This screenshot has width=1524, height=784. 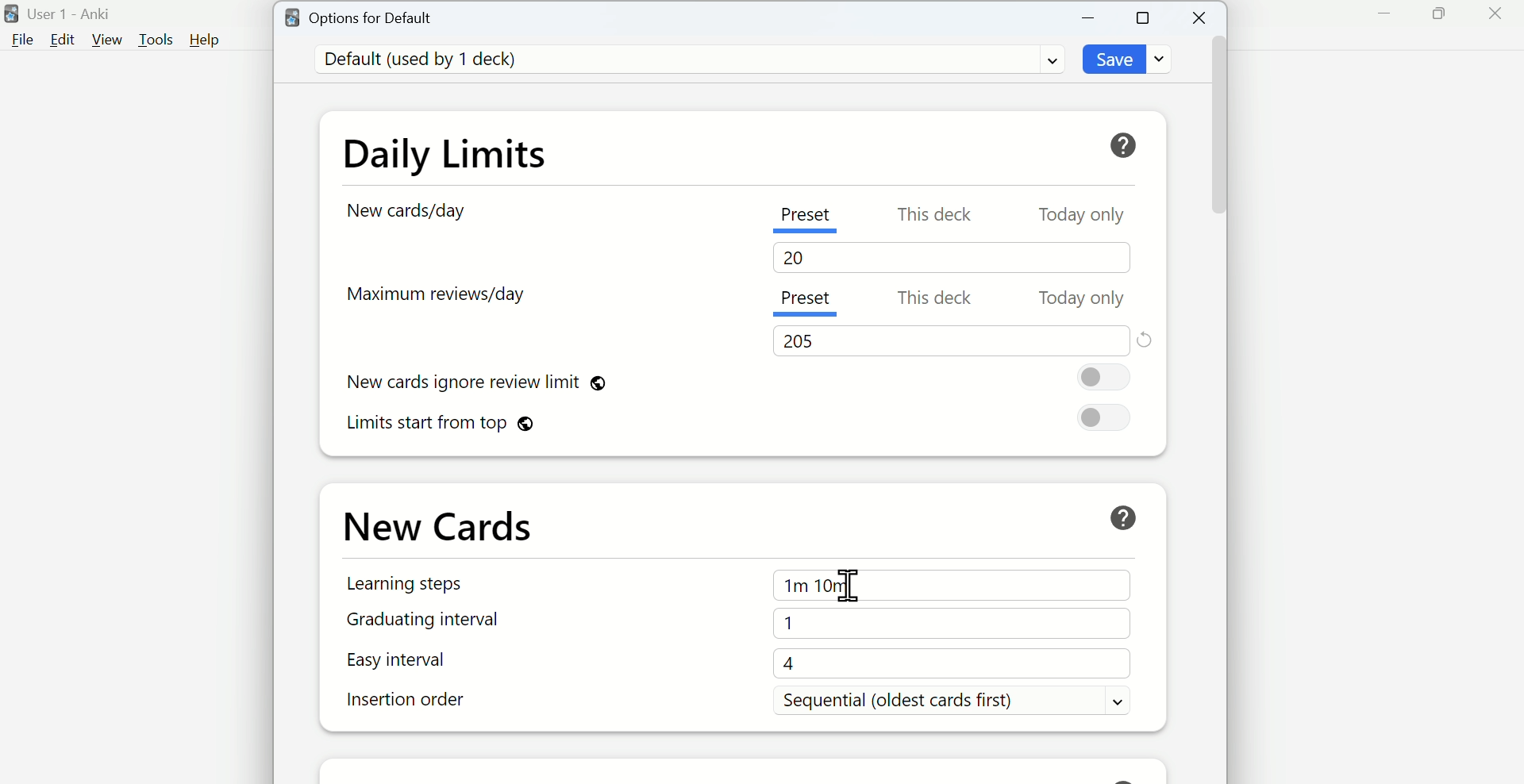 What do you see at coordinates (937, 215) in the screenshot?
I see `This deck` at bounding box center [937, 215].